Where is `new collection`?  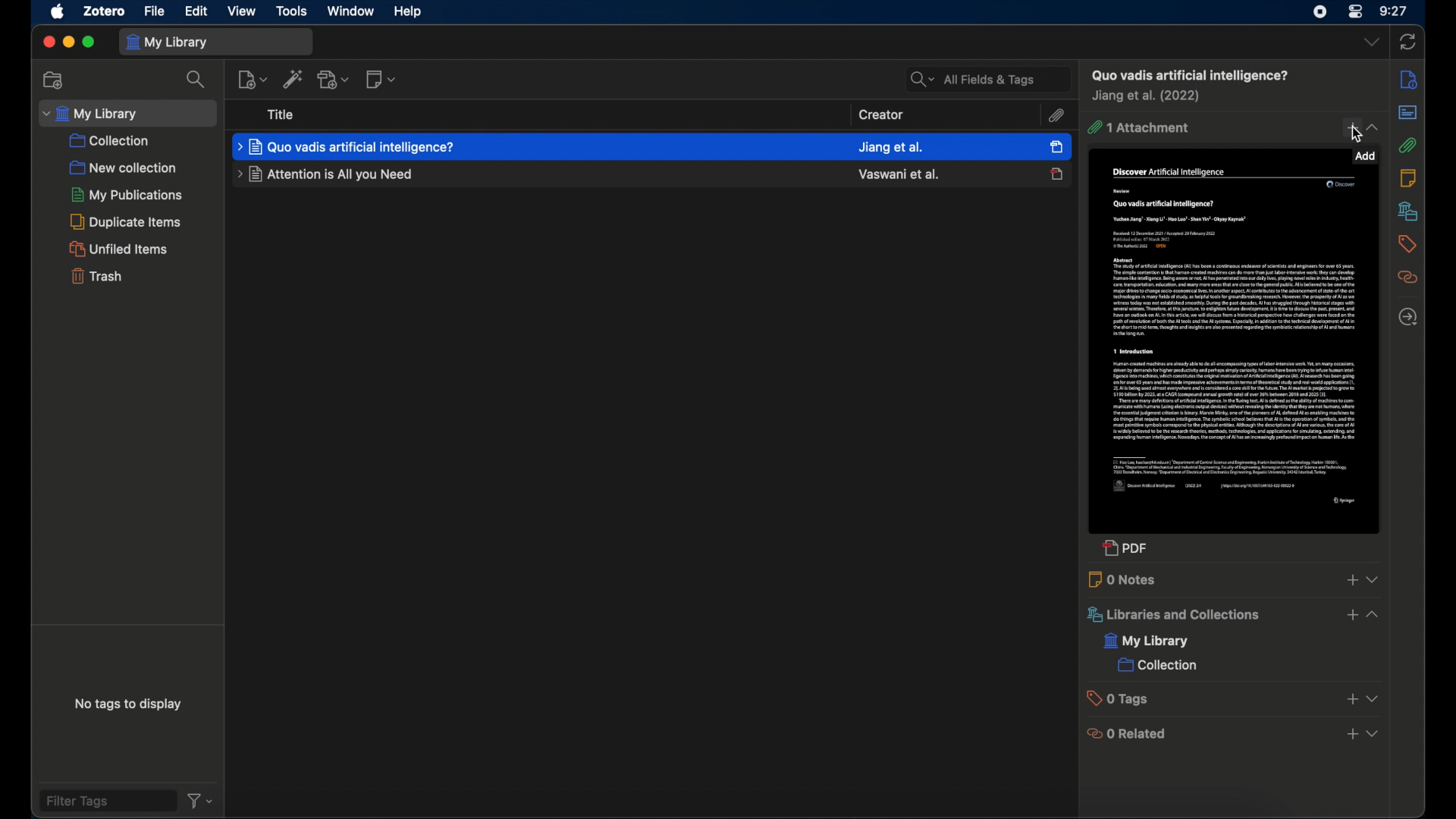 new collection is located at coordinates (52, 79).